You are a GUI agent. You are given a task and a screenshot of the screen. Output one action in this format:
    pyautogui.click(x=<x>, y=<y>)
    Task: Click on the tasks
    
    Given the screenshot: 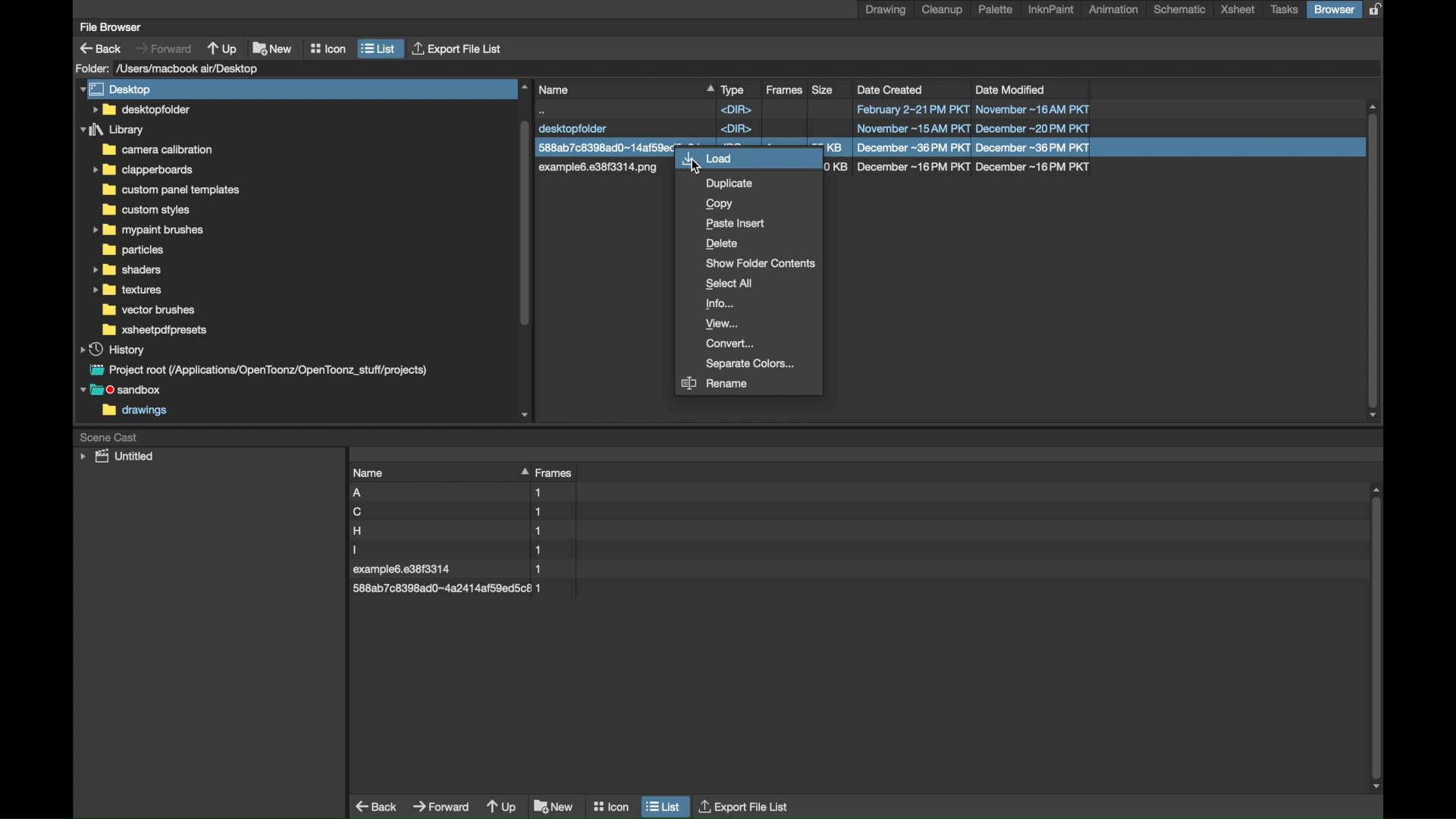 What is the action you would take?
    pyautogui.click(x=1285, y=10)
    